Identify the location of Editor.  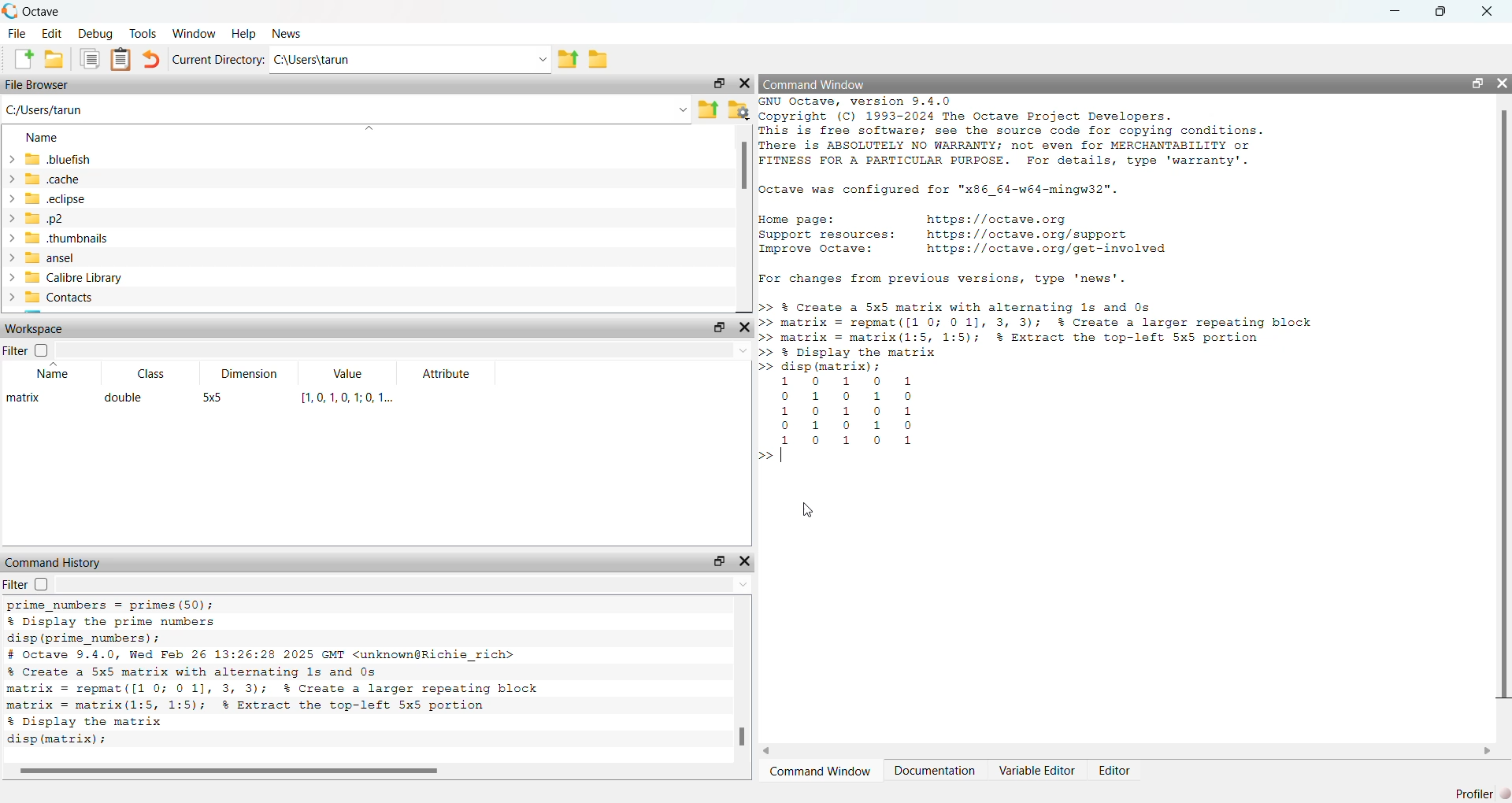
(1115, 771).